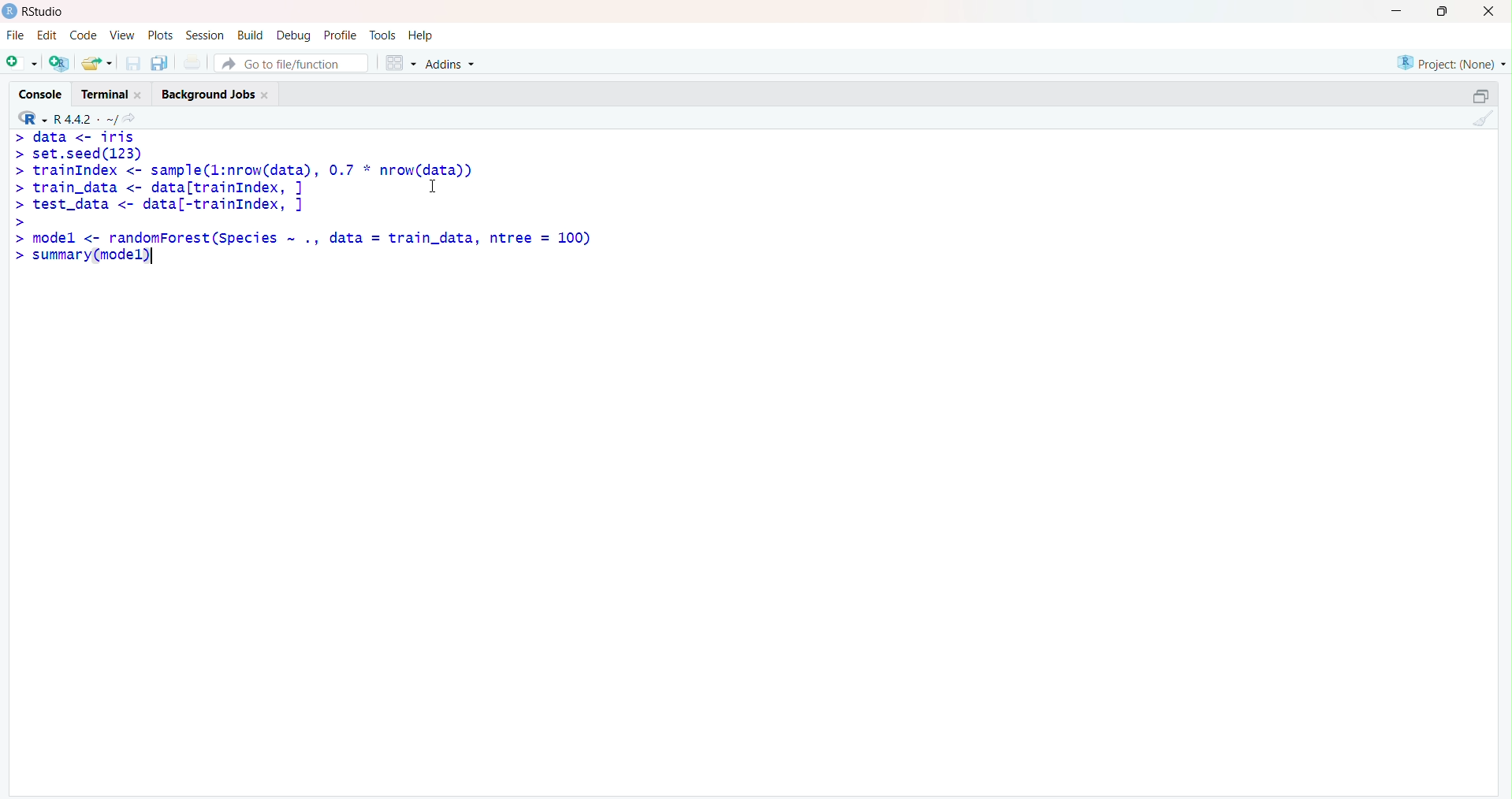 This screenshot has width=1512, height=799. Describe the element at coordinates (18, 156) in the screenshot. I see `Prompt cursor` at that location.